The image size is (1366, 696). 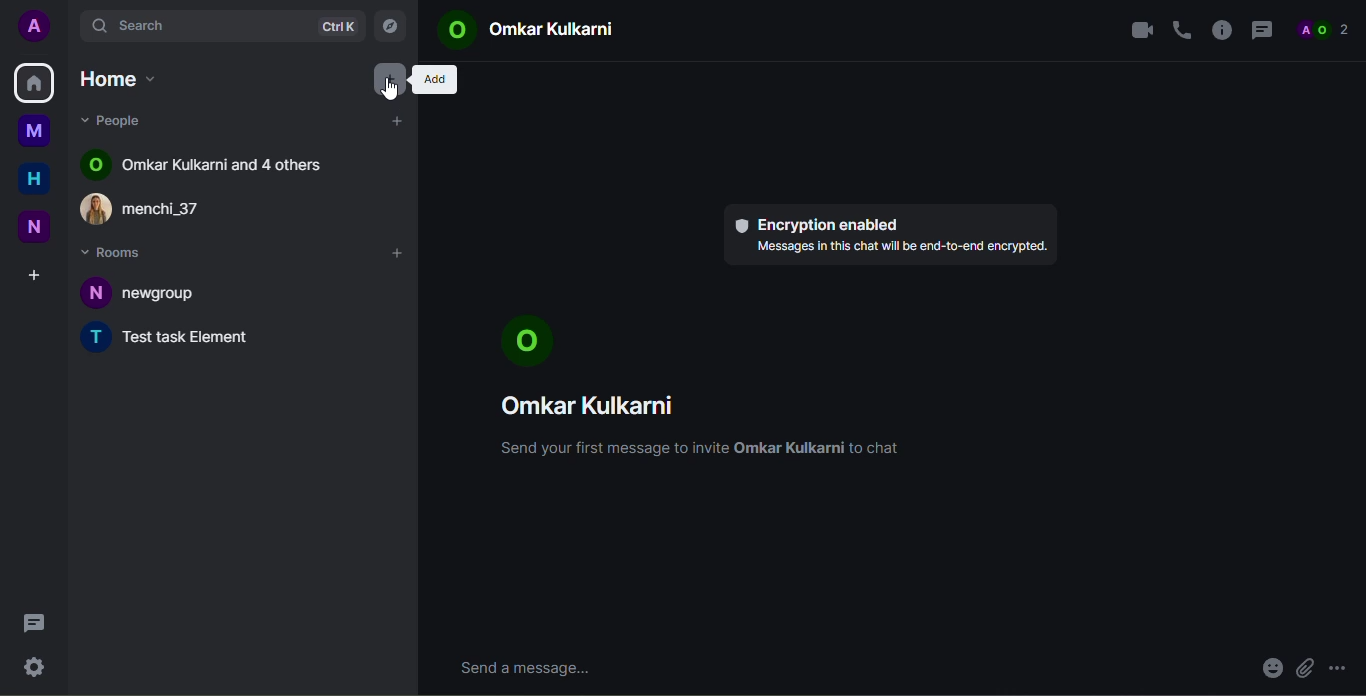 What do you see at coordinates (819, 223) in the screenshot?
I see `encryption enable` at bounding box center [819, 223].